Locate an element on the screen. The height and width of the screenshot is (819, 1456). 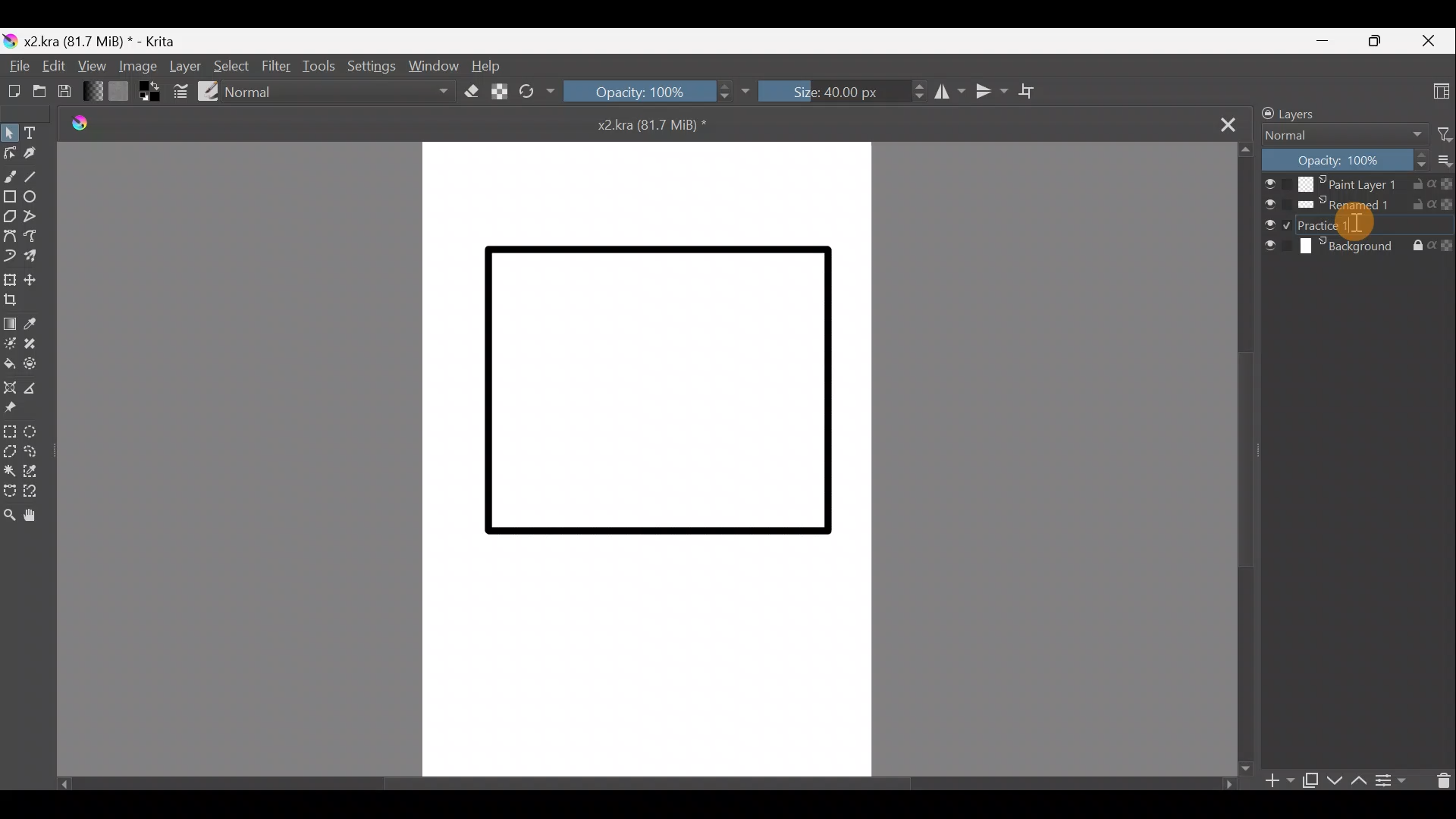
Add layer is located at coordinates (1276, 784).